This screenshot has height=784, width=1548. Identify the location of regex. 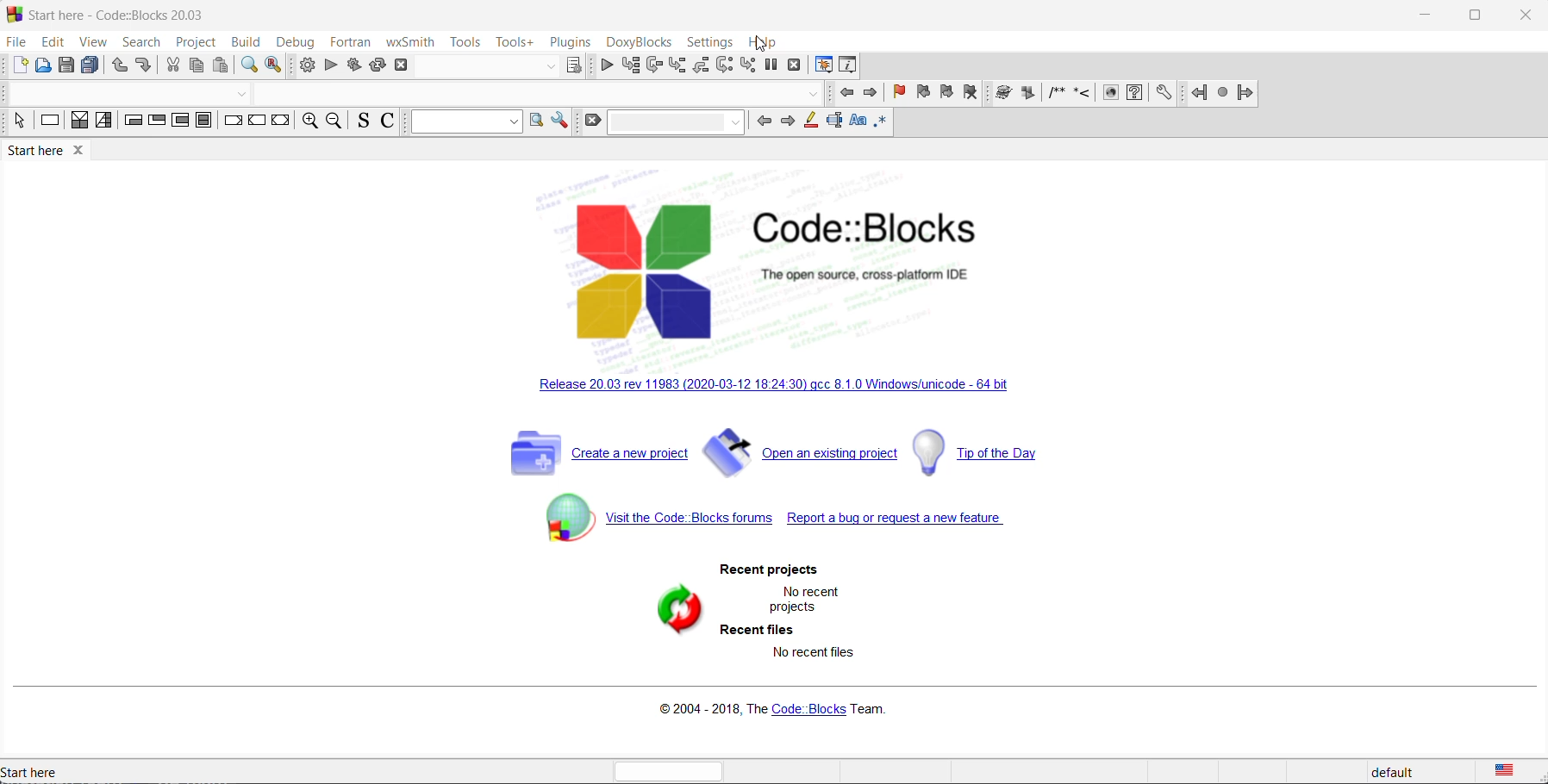
(881, 122).